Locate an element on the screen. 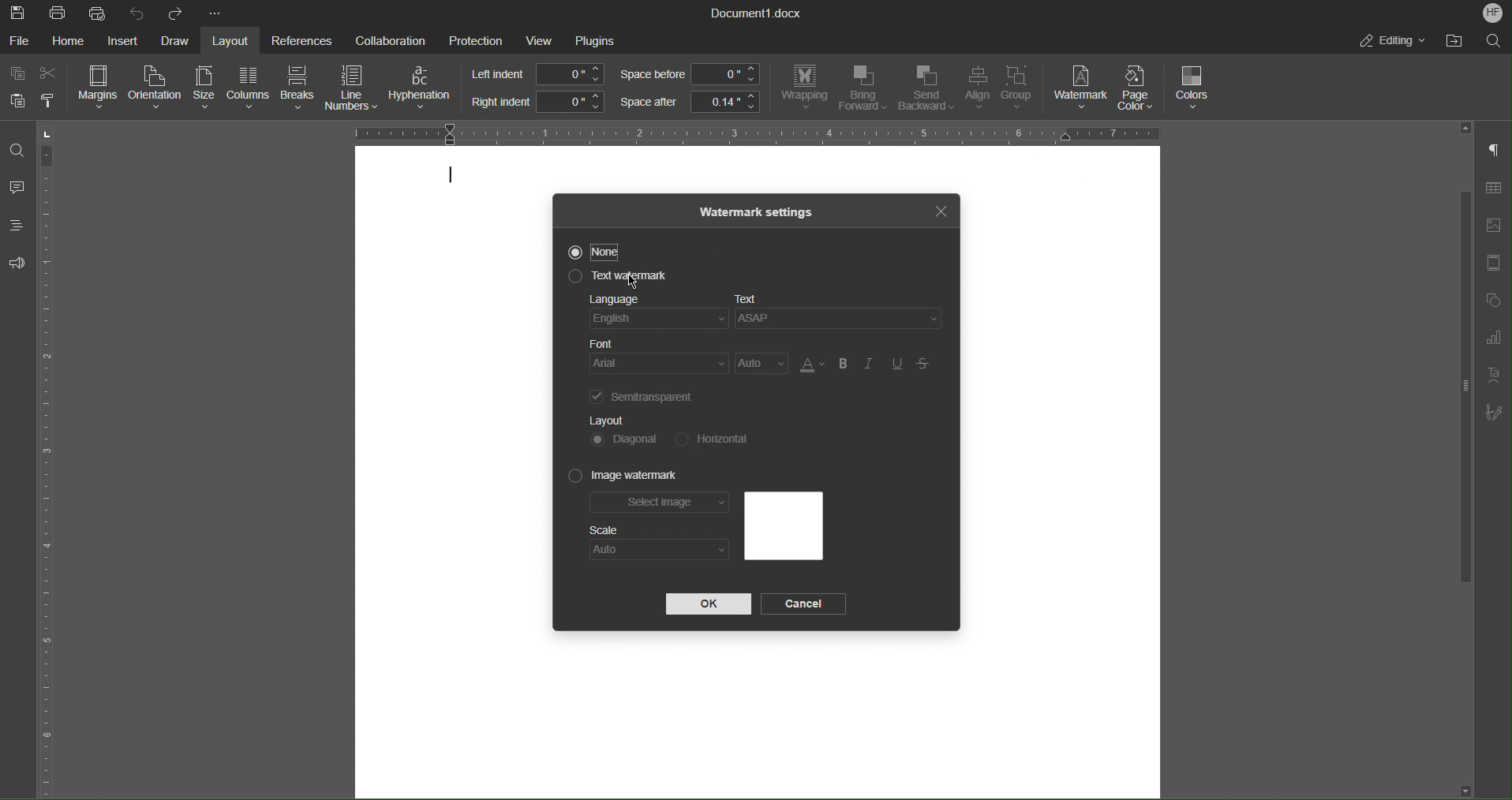 The image size is (1512, 800). Horizonal is located at coordinates (709, 438).